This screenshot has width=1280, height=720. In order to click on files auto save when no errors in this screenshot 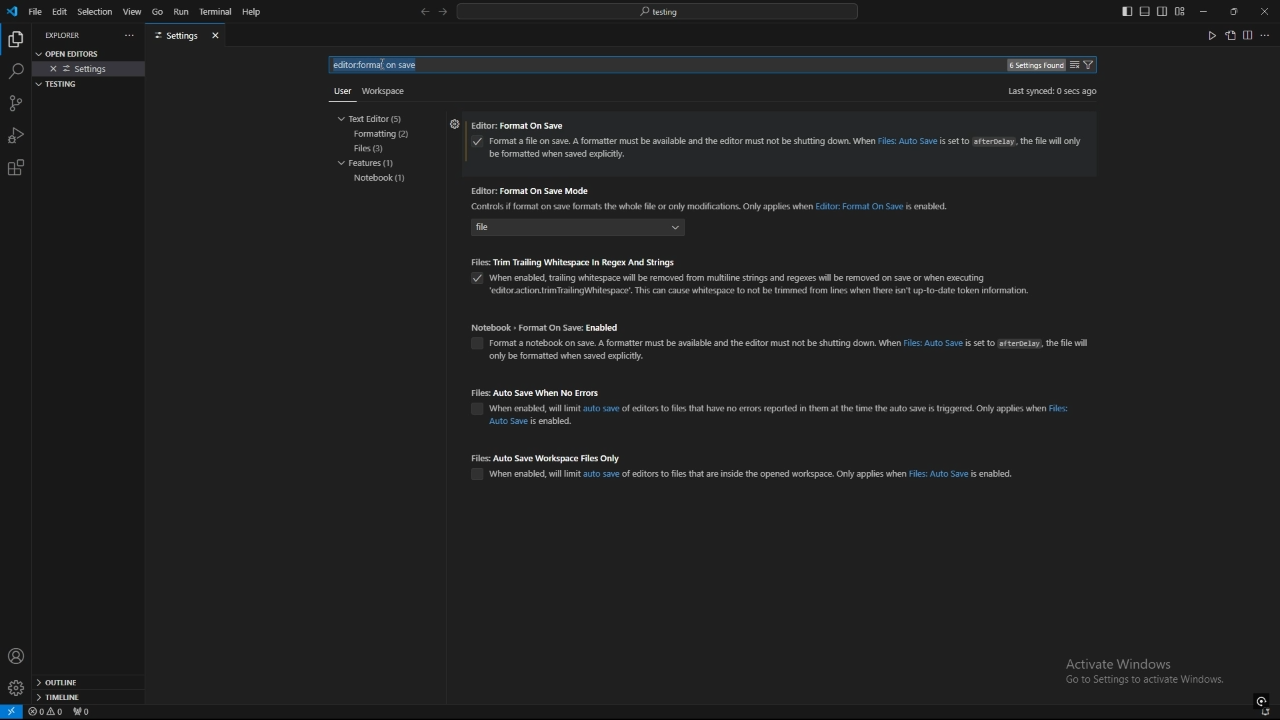, I will do `click(775, 393)`.